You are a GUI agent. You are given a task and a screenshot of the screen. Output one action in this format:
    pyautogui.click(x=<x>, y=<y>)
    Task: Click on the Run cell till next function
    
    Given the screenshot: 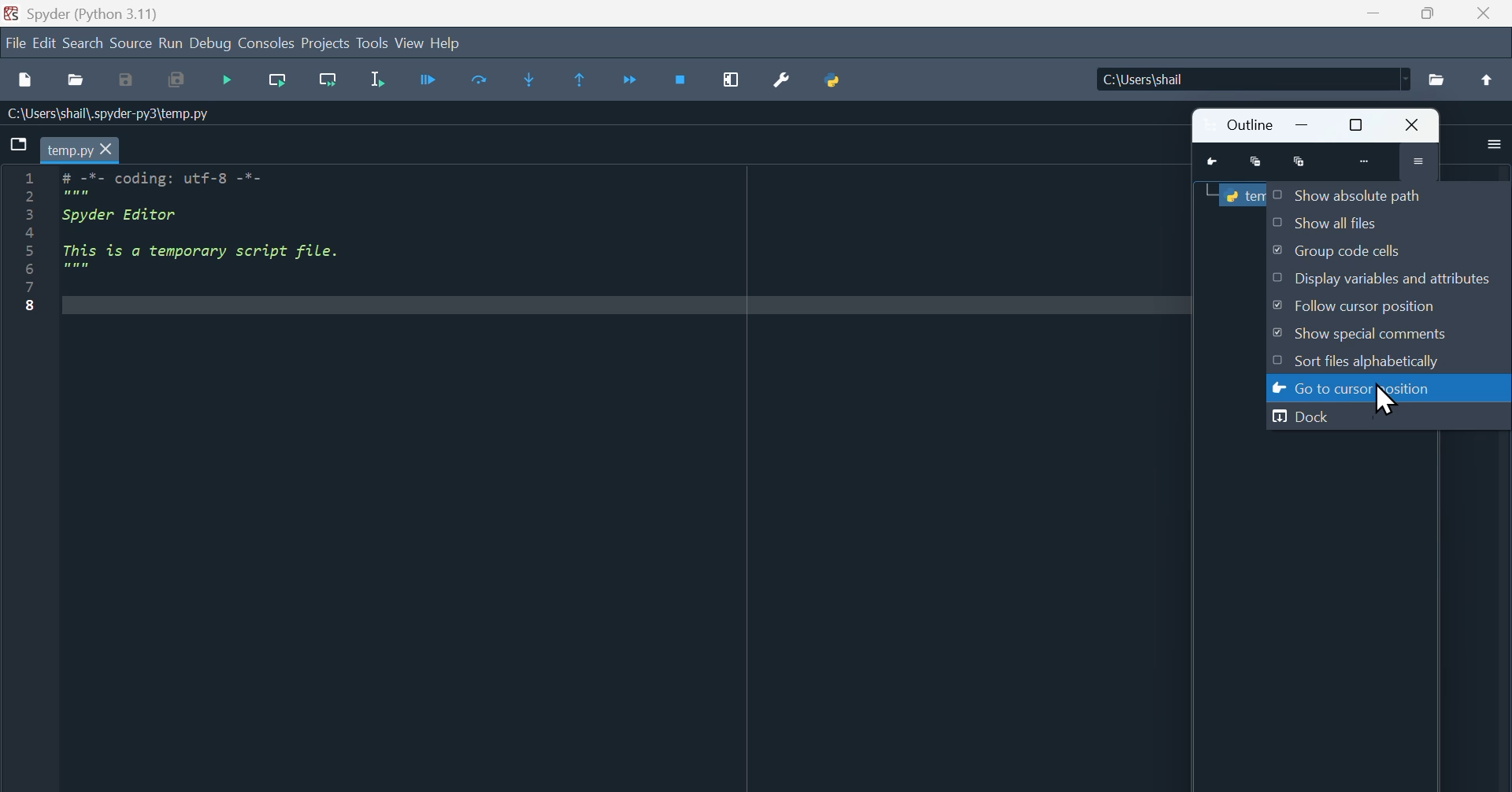 What is the action you would take?
    pyautogui.click(x=328, y=80)
    